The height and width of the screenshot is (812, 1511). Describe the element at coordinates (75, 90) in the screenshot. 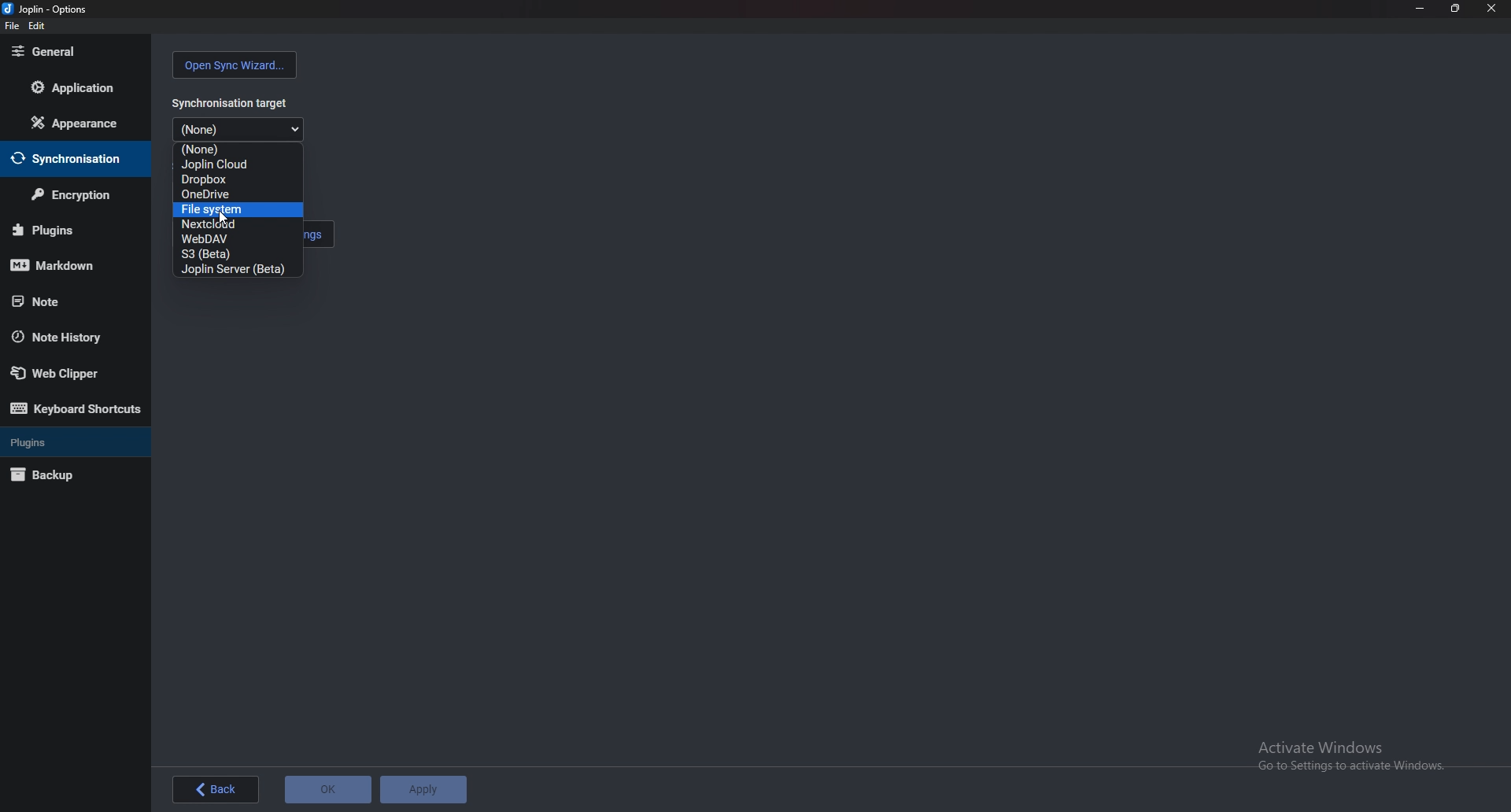

I see `Application` at that location.